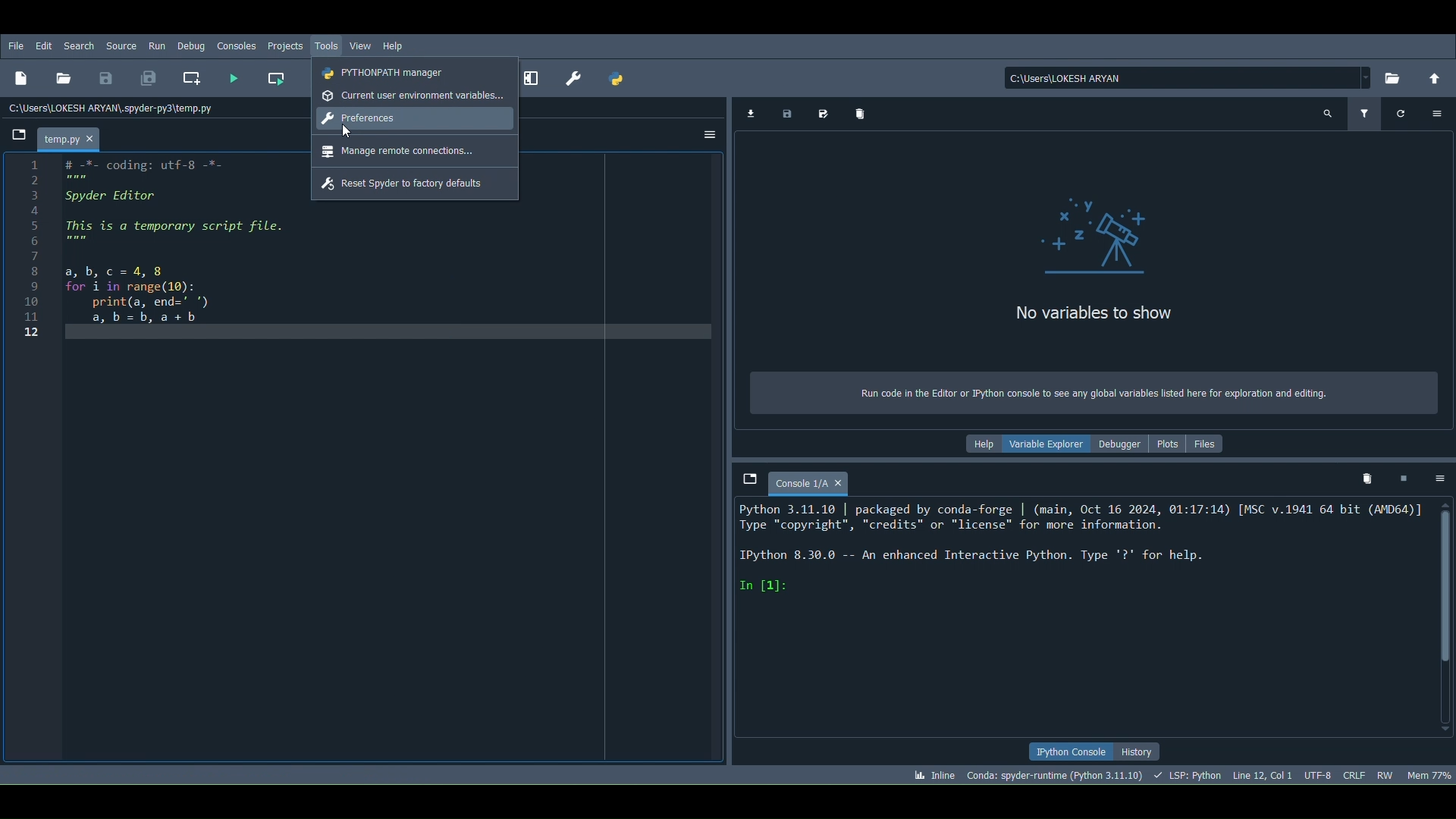 Image resolution: width=1456 pixels, height=819 pixels. What do you see at coordinates (748, 112) in the screenshot?
I see `Import data` at bounding box center [748, 112].